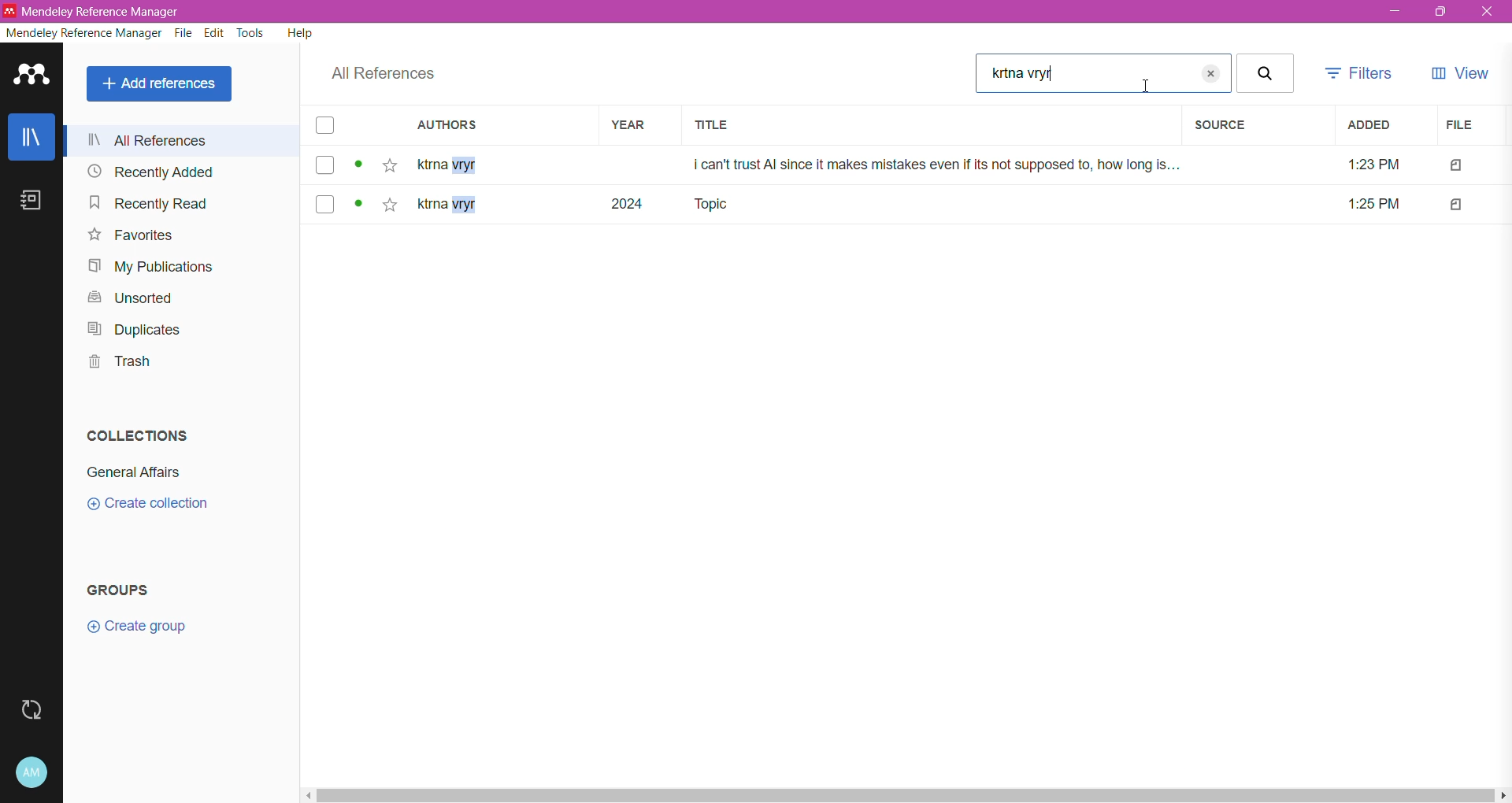 Image resolution: width=1512 pixels, height=803 pixels. I want to click on View, so click(1462, 72).